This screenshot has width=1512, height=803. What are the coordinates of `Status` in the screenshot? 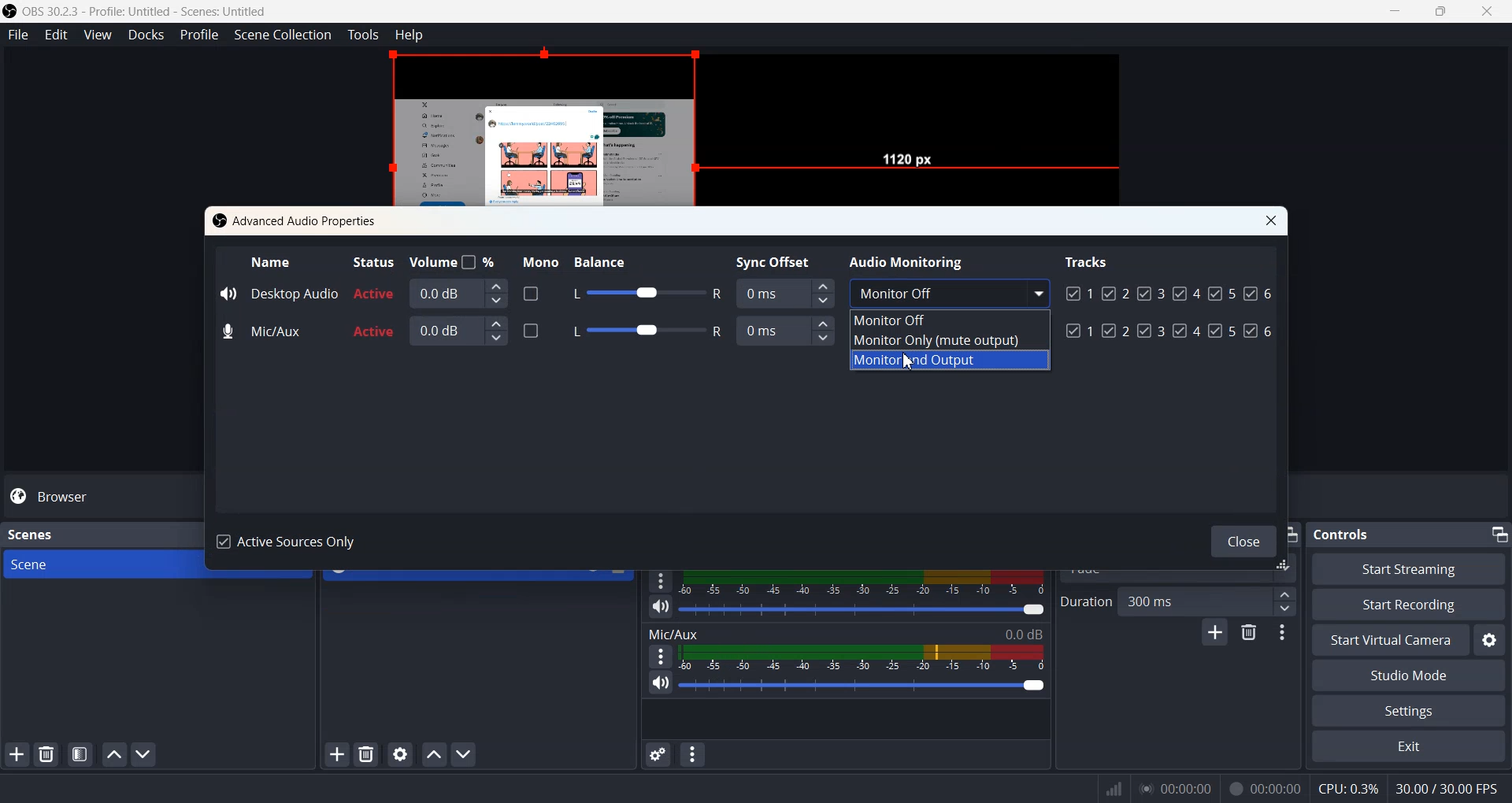 It's located at (372, 261).